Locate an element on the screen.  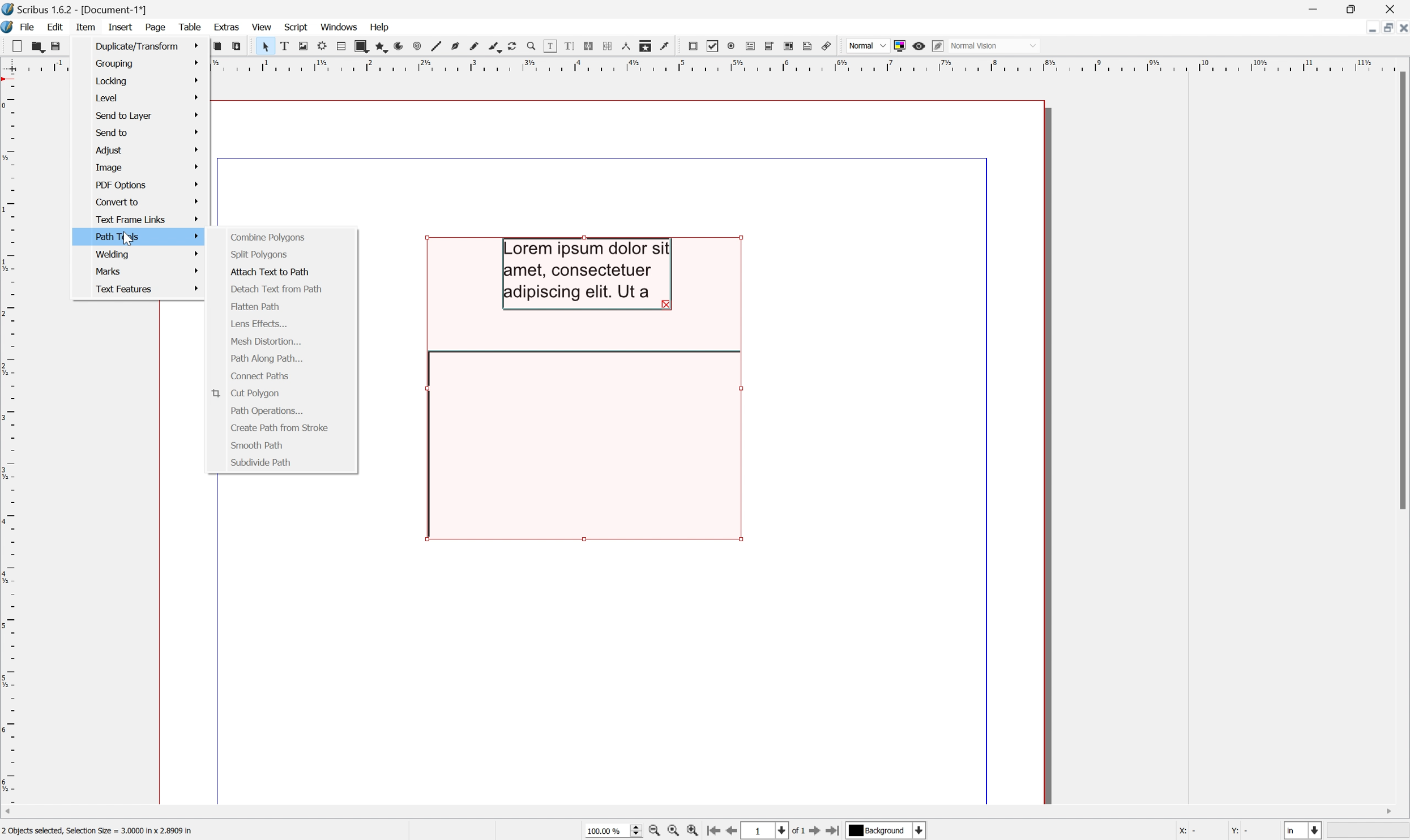
Convert to is located at coordinates (147, 202).